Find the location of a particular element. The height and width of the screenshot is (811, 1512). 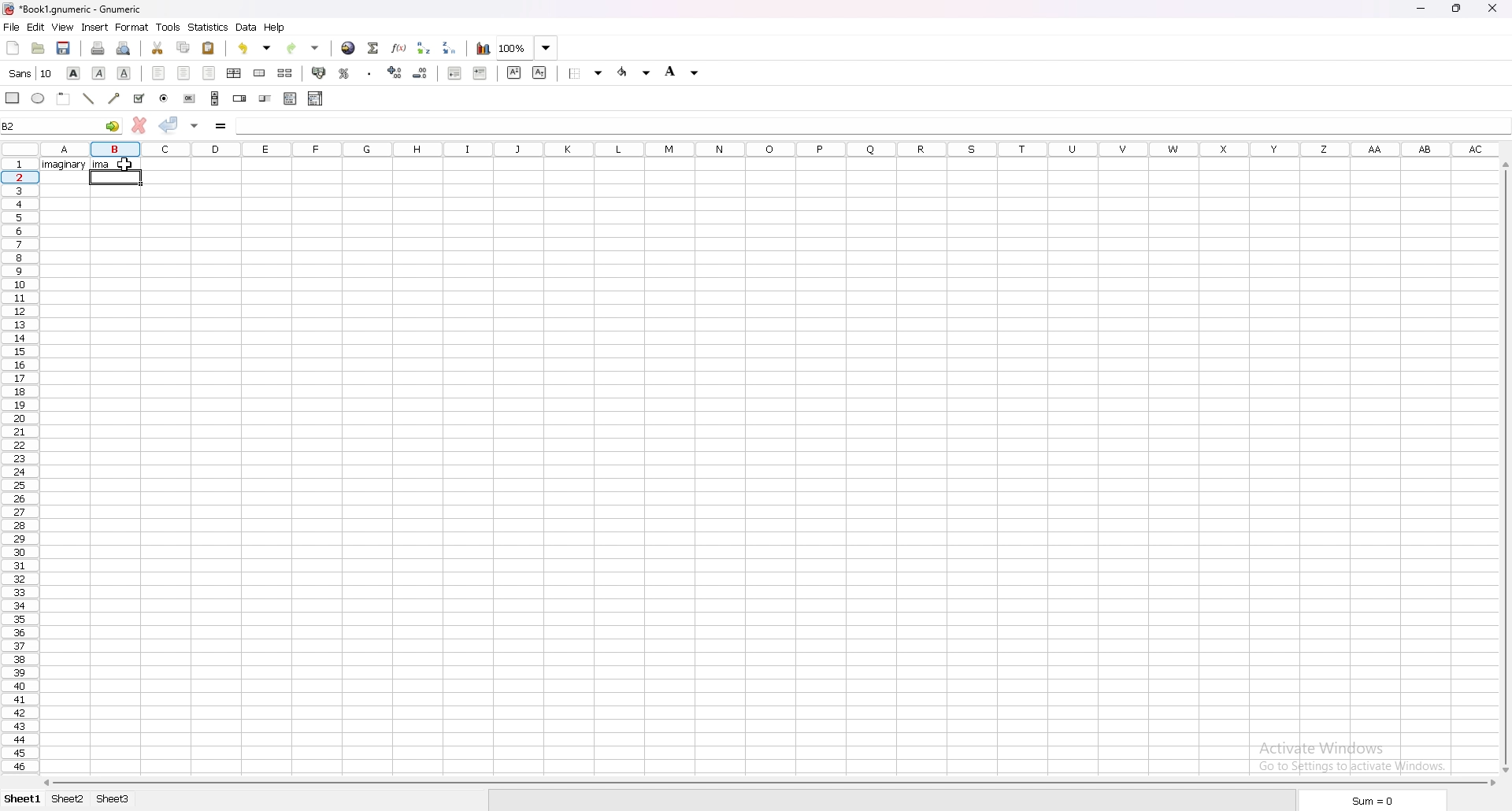

print is located at coordinates (98, 48).